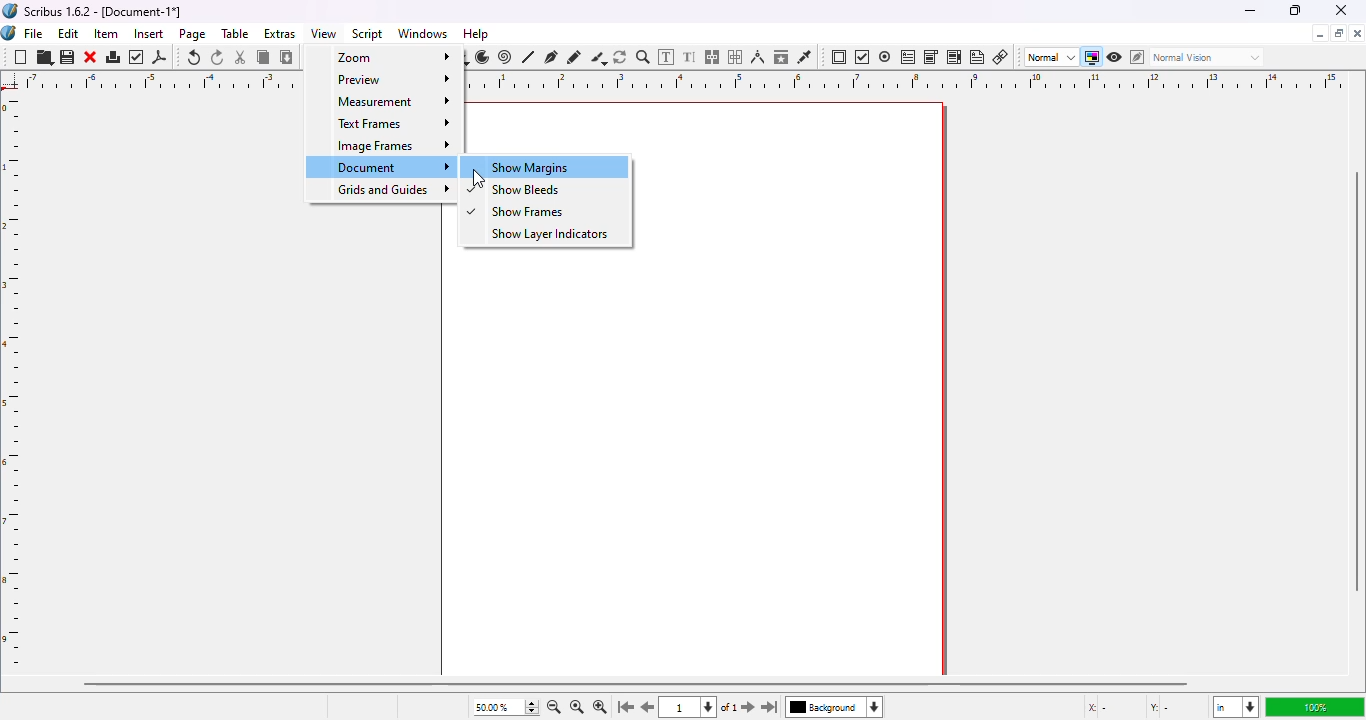 The height and width of the screenshot is (720, 1366). I want to click on ruler, so click(15, 382).